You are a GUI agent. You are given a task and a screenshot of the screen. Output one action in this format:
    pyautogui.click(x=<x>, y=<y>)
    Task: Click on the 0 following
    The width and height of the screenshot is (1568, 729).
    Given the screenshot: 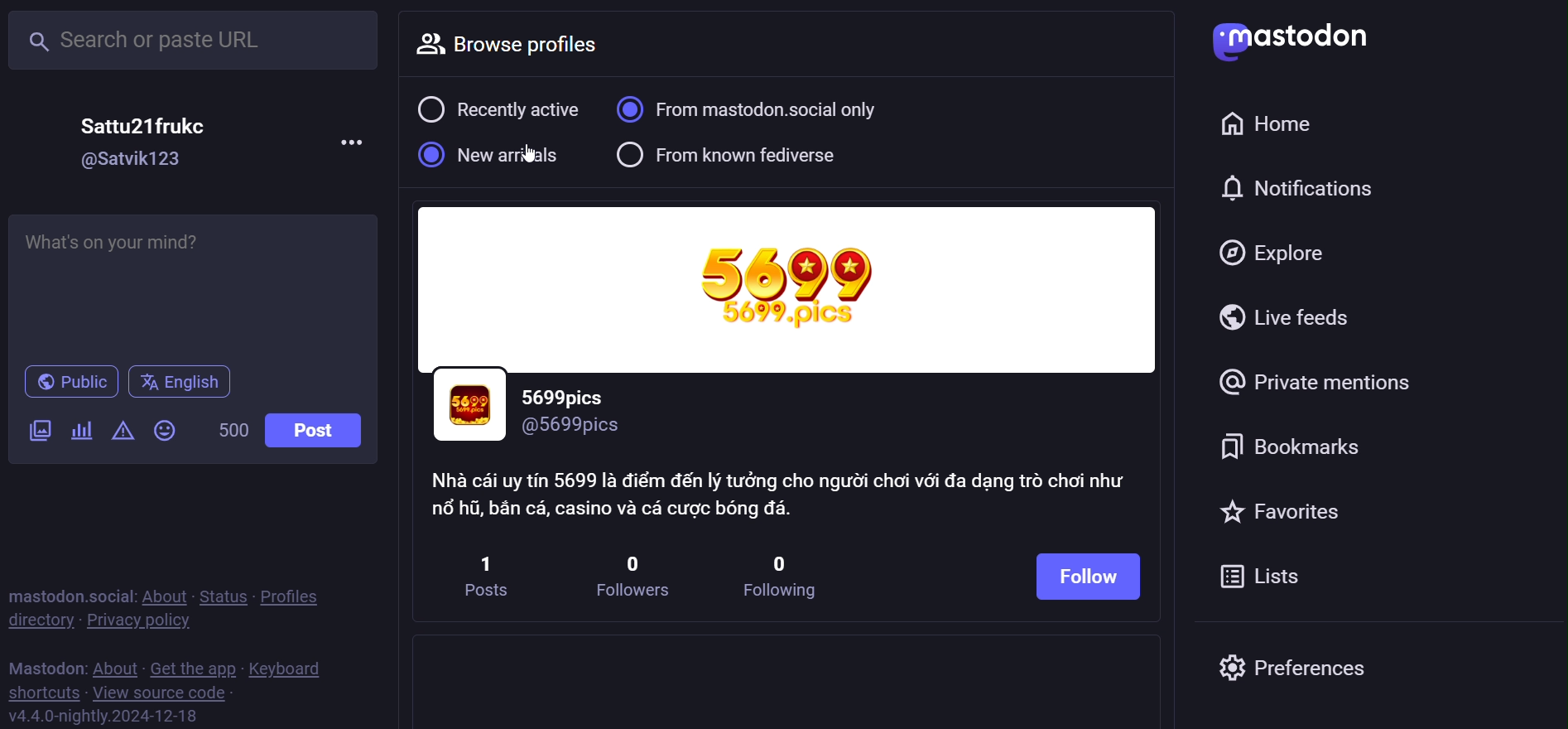 What is the action you would take?
    pyautogui.click(x=775, y=577)
    